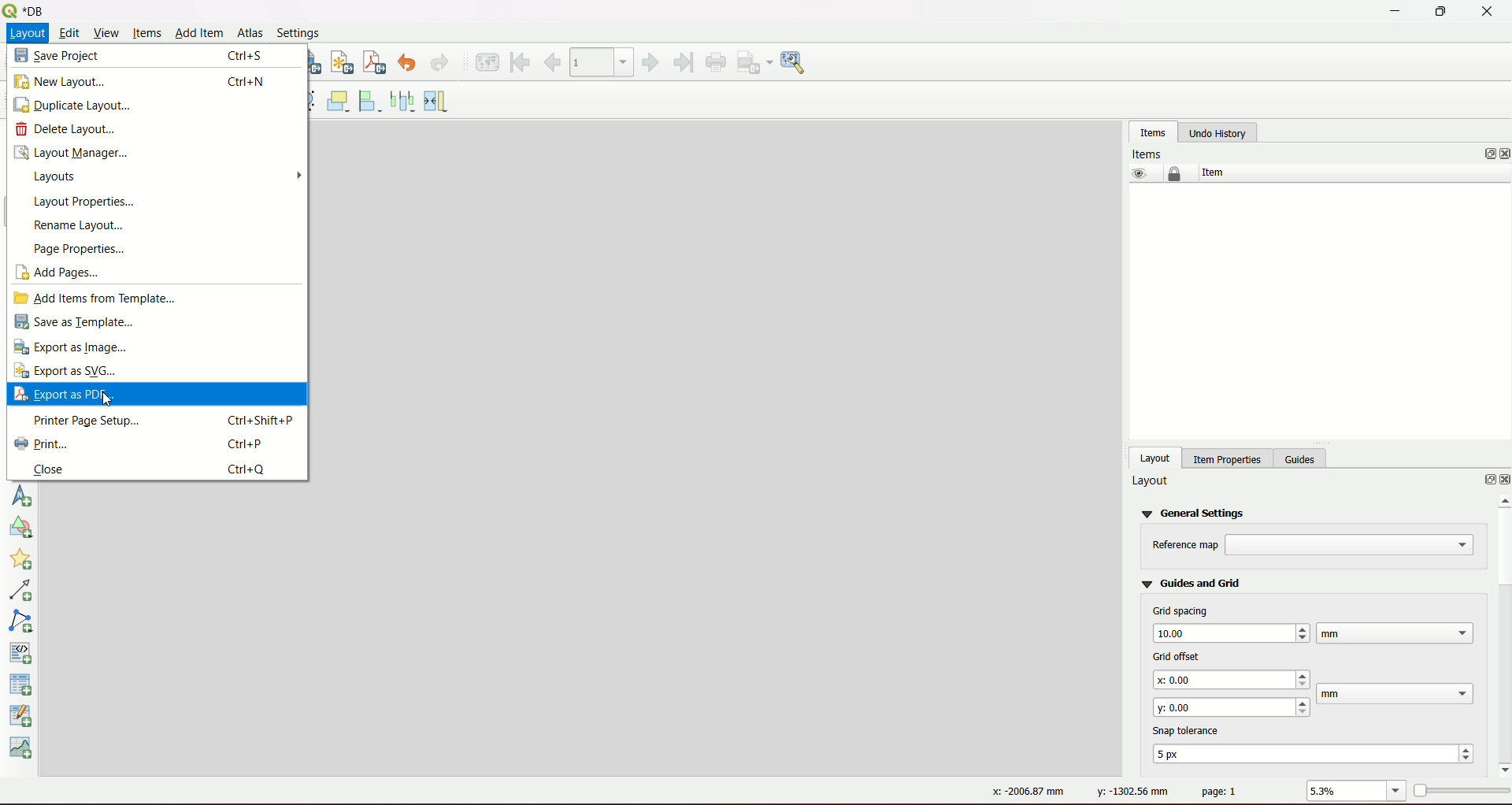 This screenshot has height=805, width=1512. I want to click on scrollbar, so click(1501, 633).